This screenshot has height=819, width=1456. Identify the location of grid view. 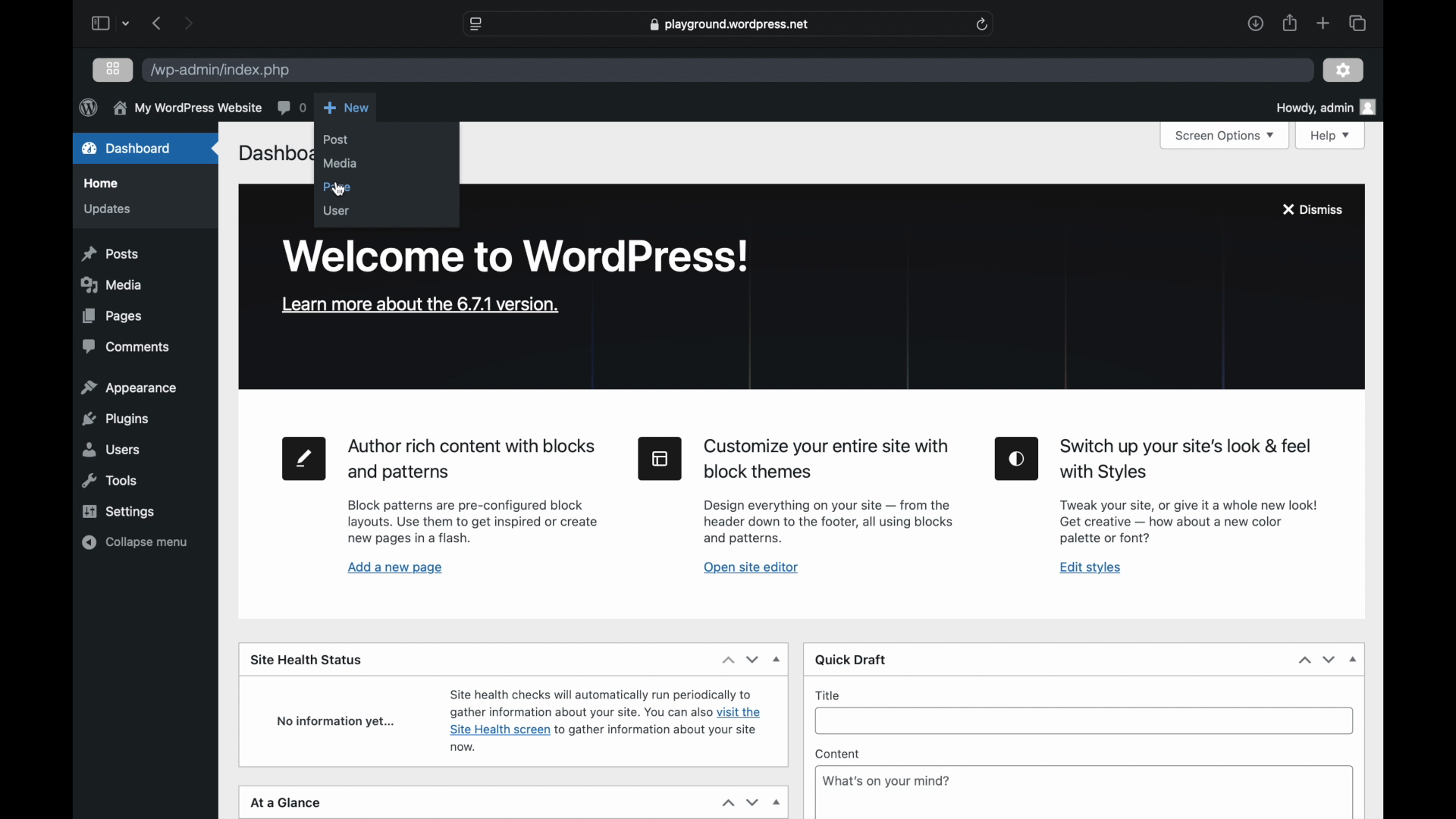
(113, 70).